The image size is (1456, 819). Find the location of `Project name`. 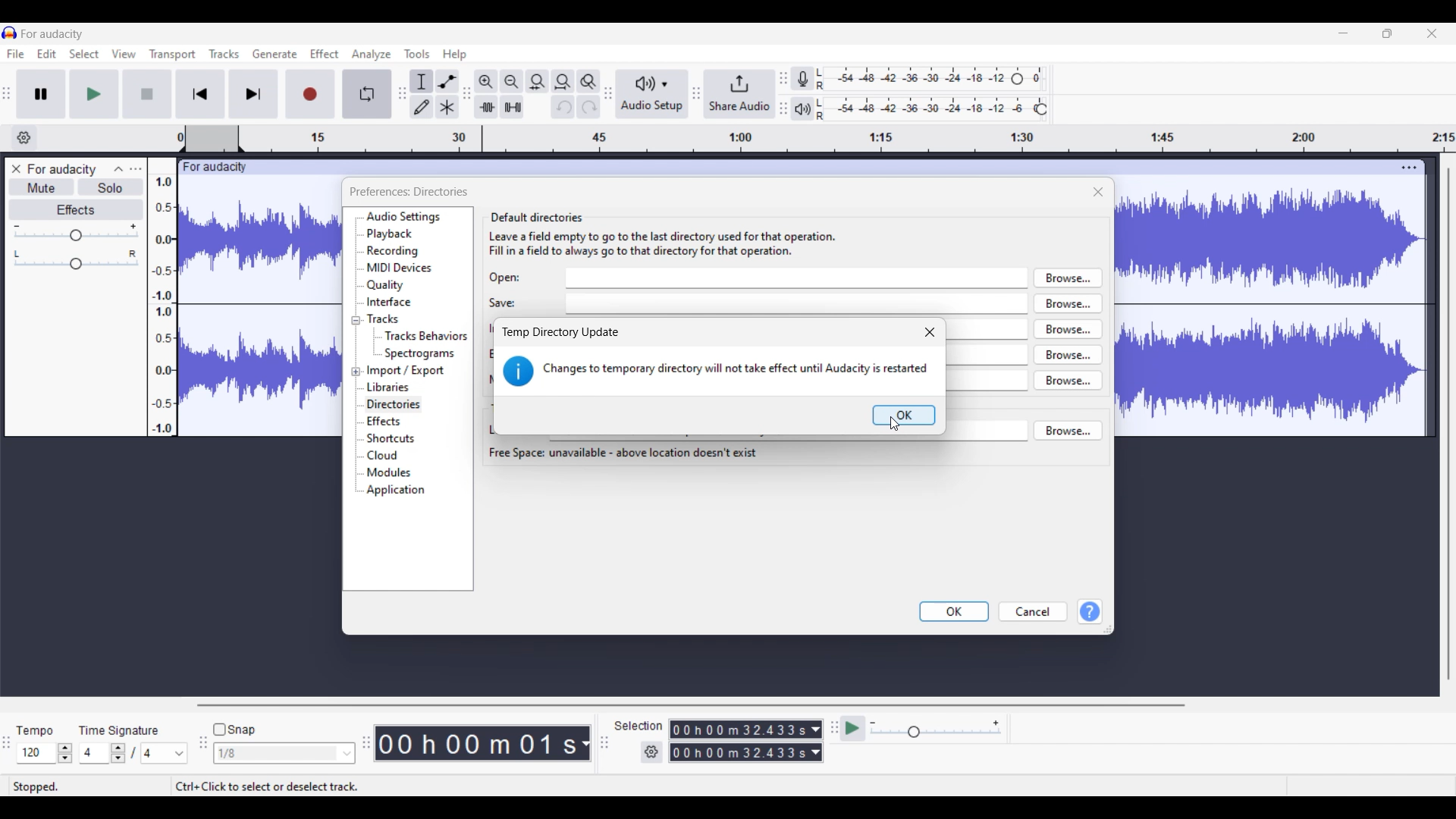

Project name is located at coordinates (212, 166).